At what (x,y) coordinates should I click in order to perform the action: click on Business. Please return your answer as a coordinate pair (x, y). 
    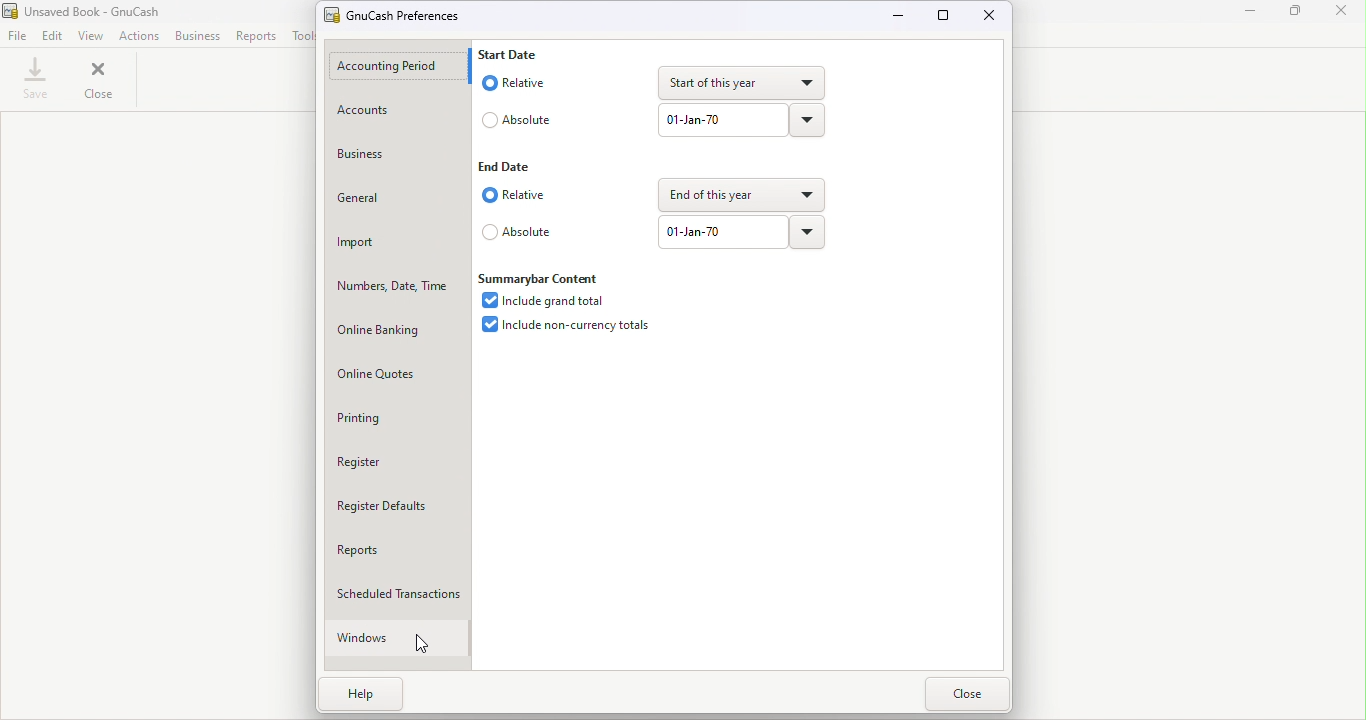
    Looking at the image, I should click on (198, 36).